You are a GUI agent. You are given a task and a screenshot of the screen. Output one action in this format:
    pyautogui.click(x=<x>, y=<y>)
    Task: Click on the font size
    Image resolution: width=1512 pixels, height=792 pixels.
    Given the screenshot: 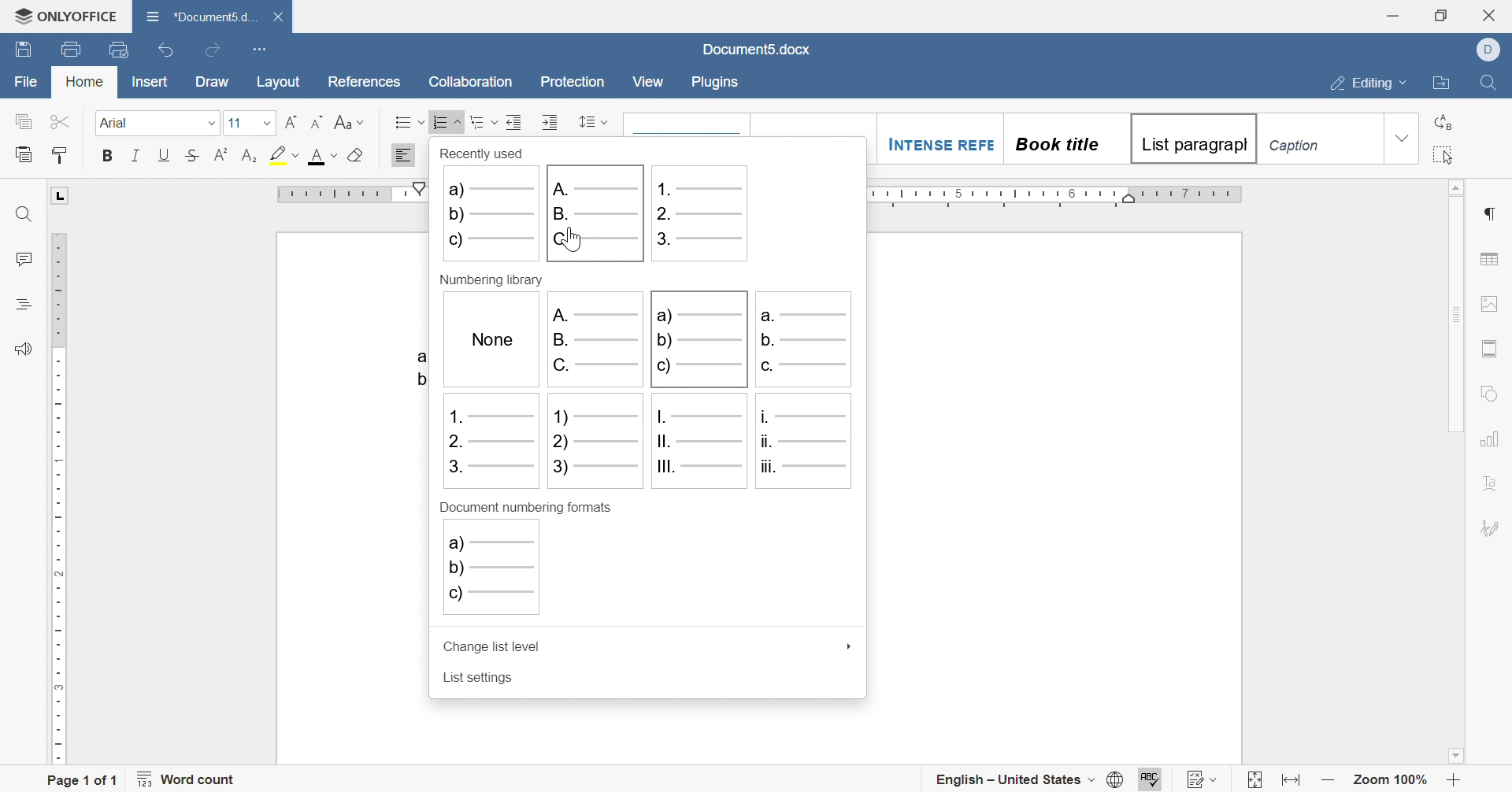 What is the action you would take?
    pyautogui.click(x=234, y=123)
    